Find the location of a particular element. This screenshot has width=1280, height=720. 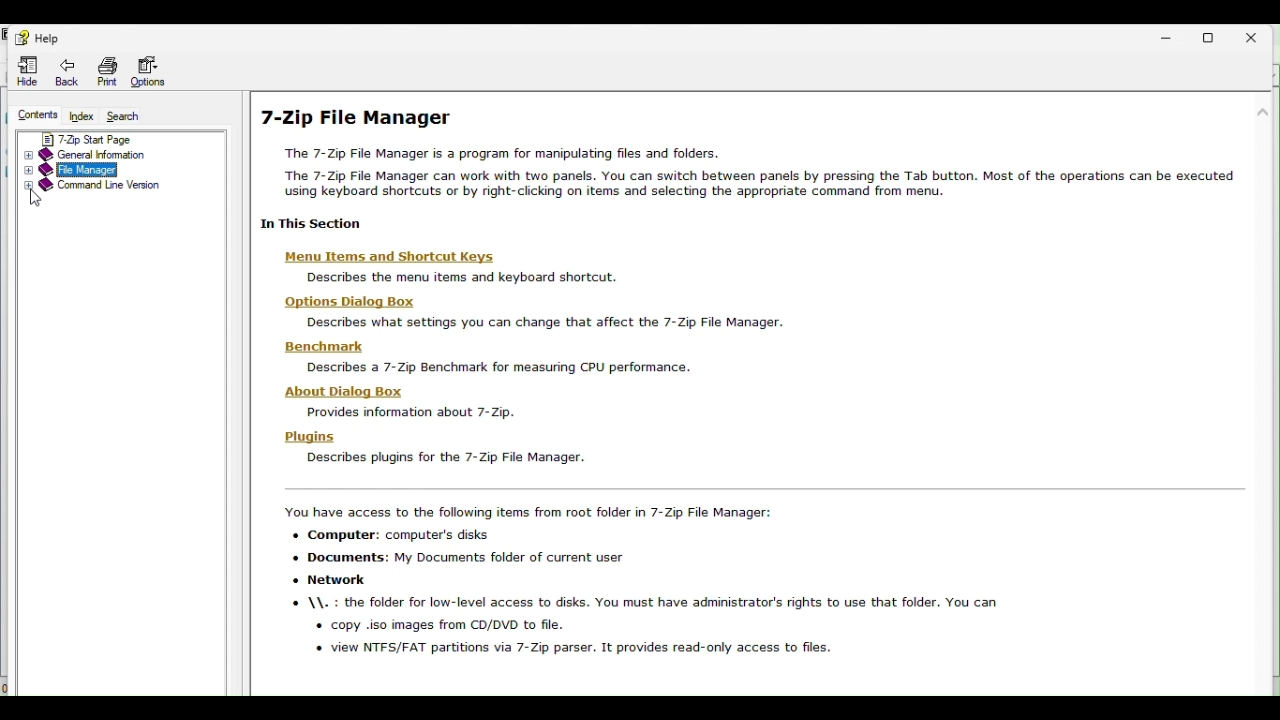

Minimise is located at coordinates (1165, 32).